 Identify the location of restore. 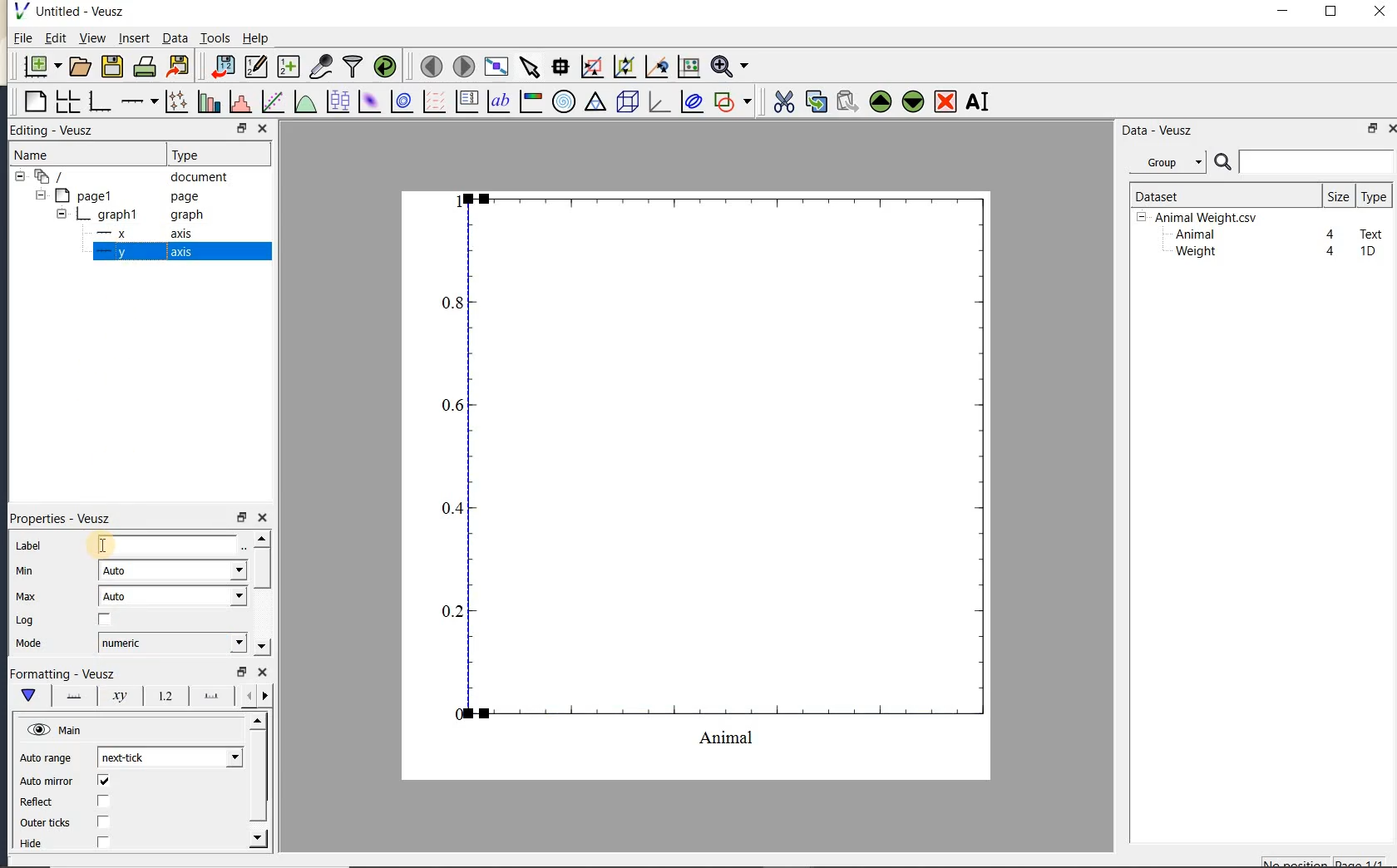
(1374, 128).